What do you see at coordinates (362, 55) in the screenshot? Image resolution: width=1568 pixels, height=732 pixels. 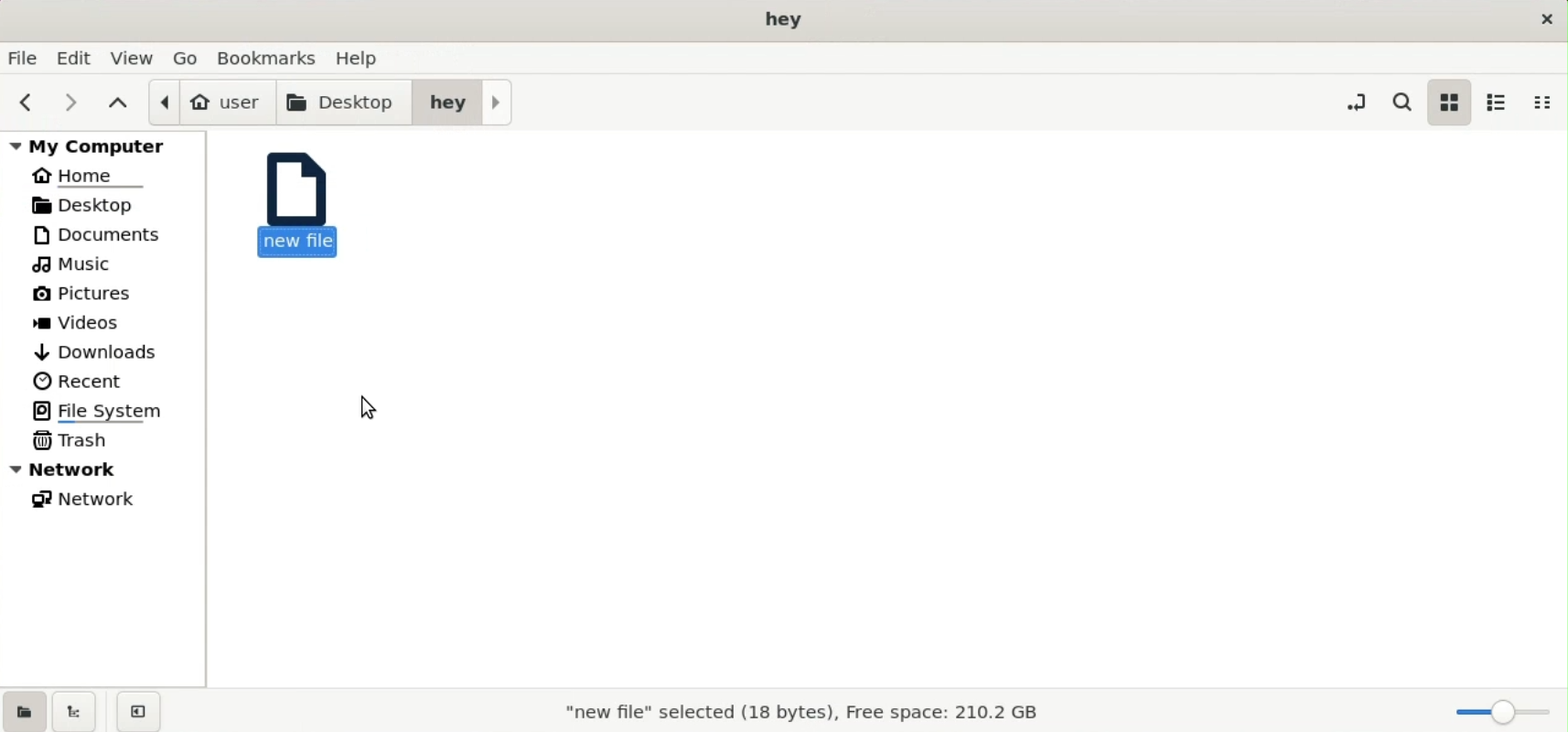 I see `help` at bounding box center [362, 55].